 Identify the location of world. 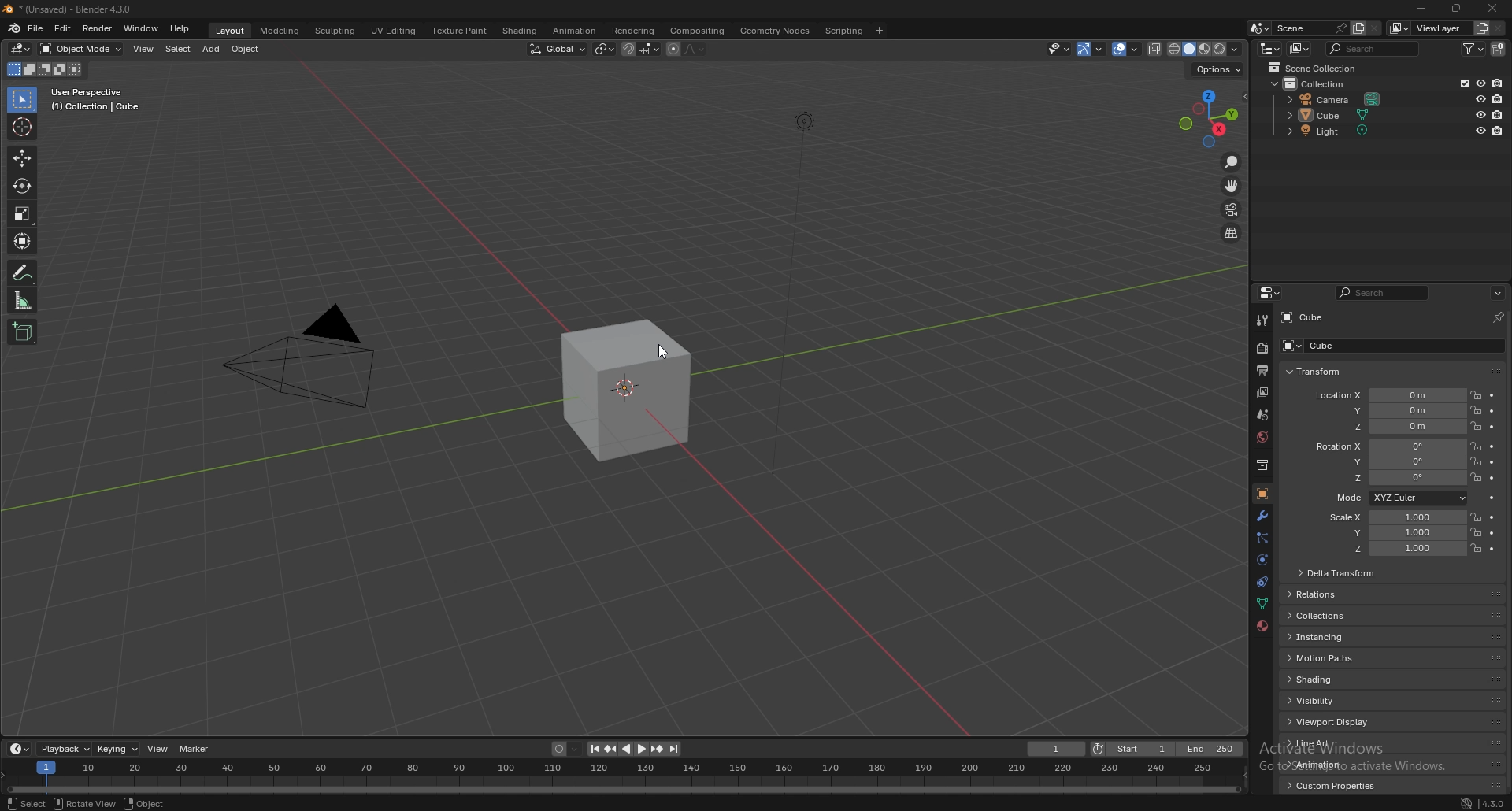
(1262, 436).